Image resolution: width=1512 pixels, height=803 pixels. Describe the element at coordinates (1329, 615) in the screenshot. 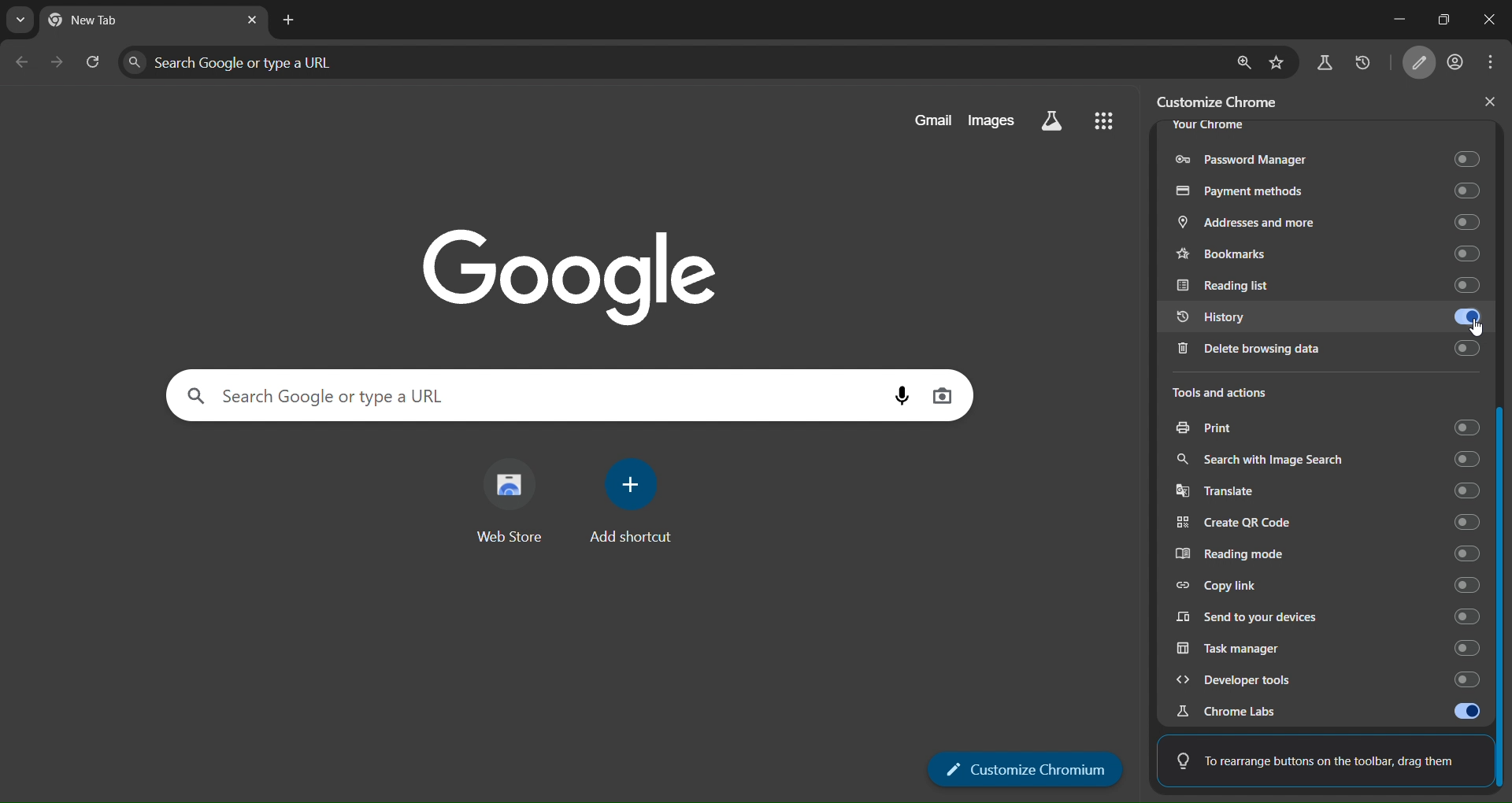

I see `send to your devices` at that location.